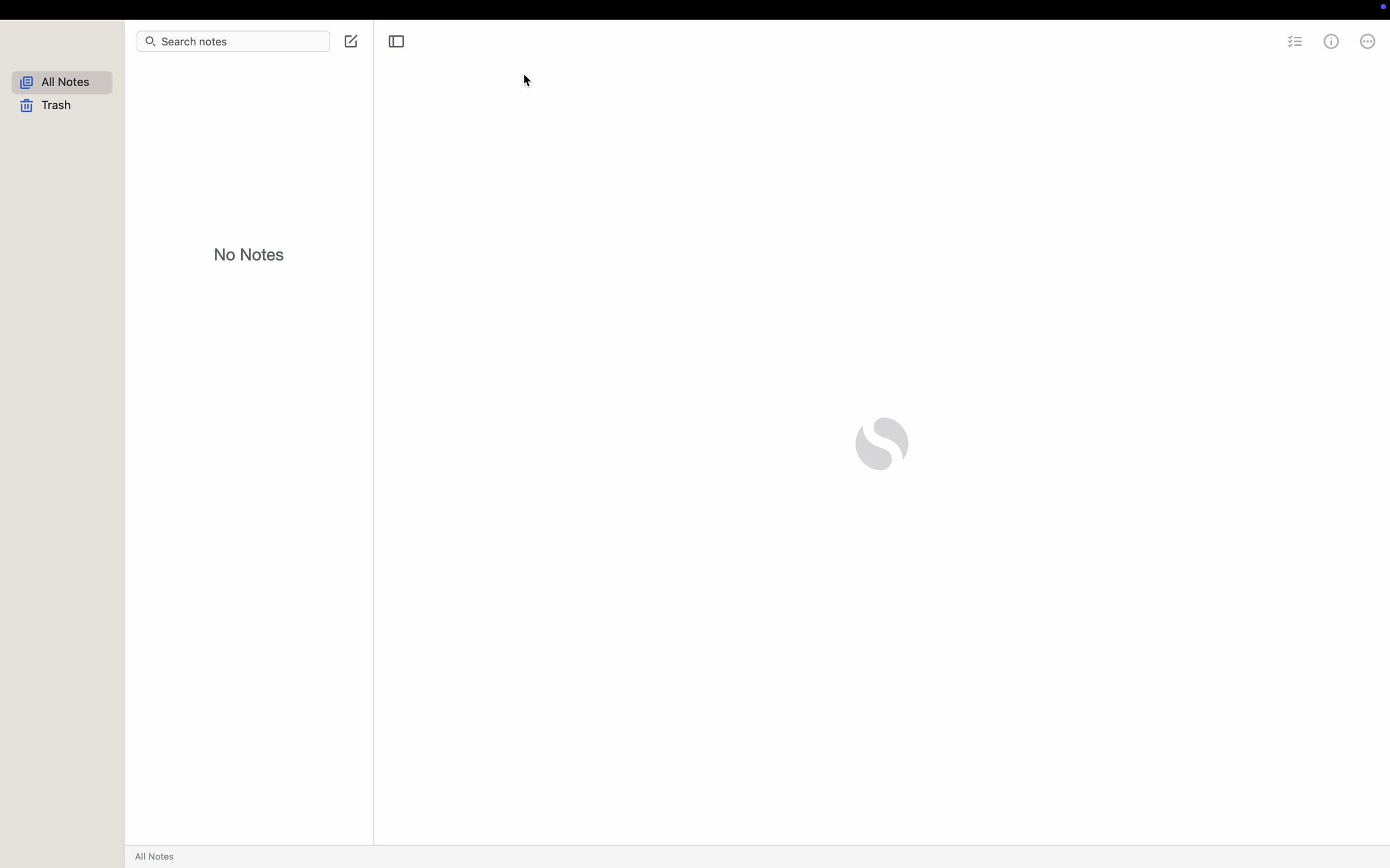 Image resolution: width=1390 pixels, height=868 pixels. What do you see at coordinates (49, 107) in the screenshot?
I see `trash` at bounding box center [49, 107].